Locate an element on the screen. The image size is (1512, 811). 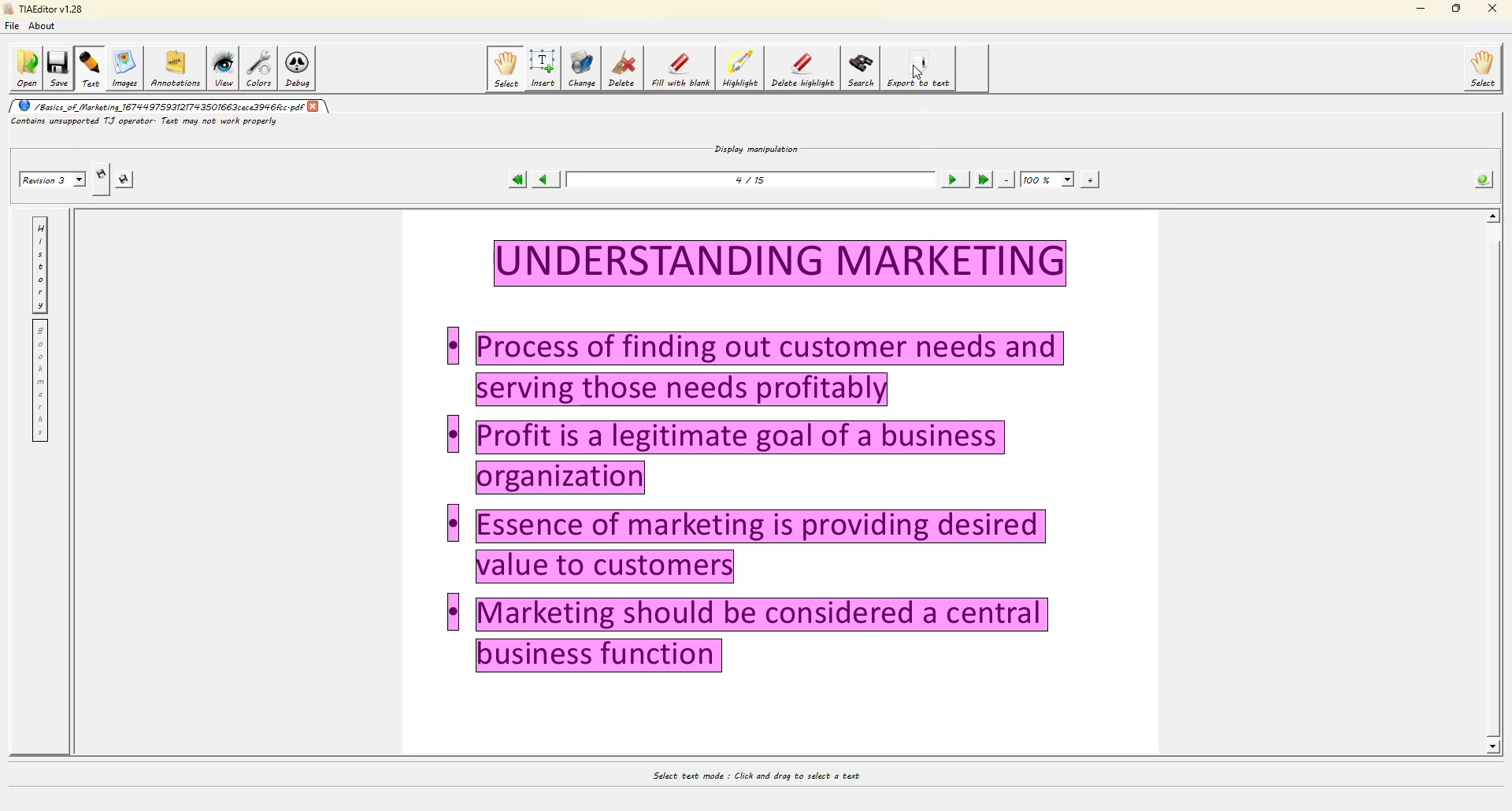
file is located at coordinates (12, 26).